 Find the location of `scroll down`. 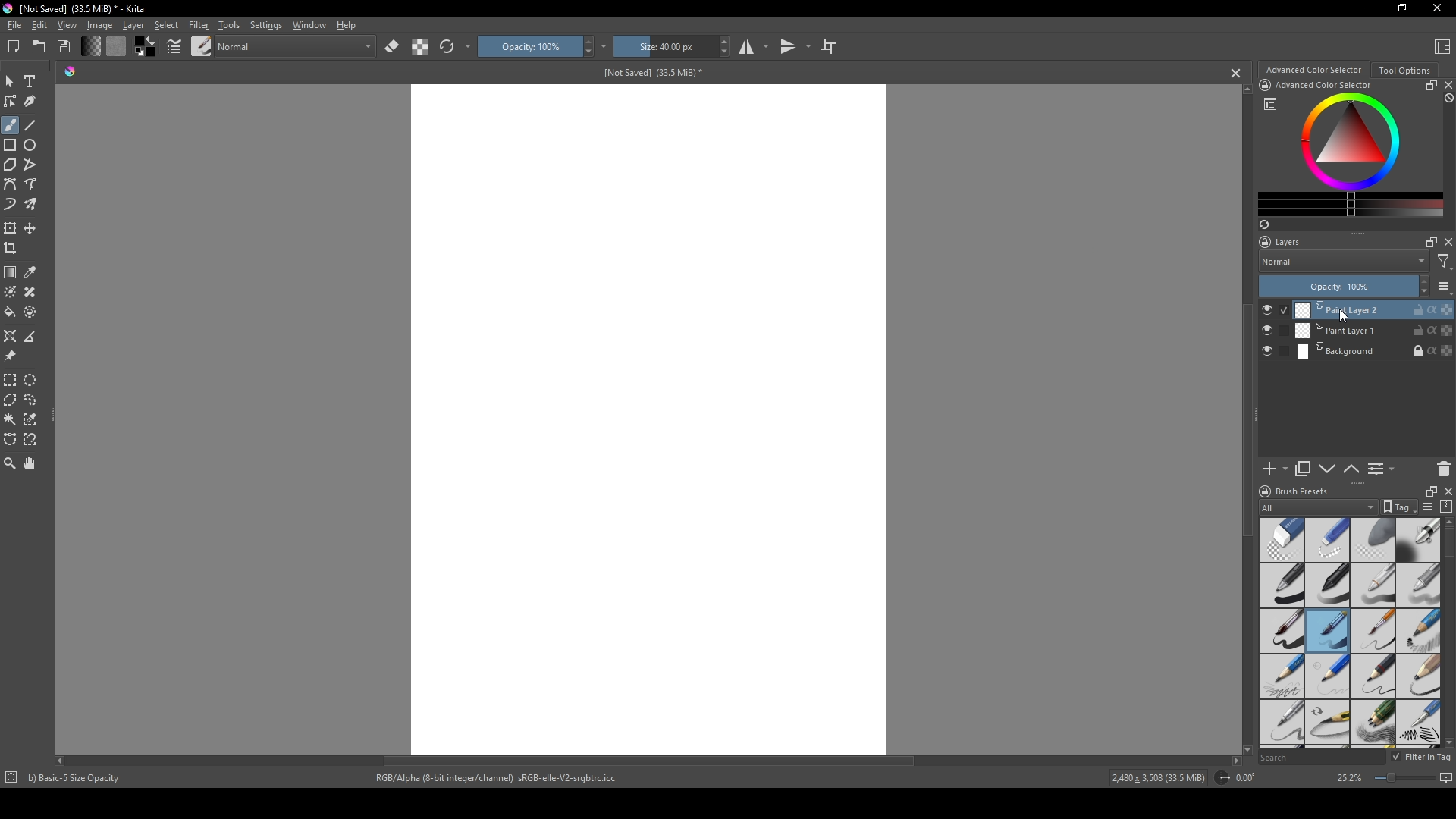

scroll down is located at coordinates (1447, 742).